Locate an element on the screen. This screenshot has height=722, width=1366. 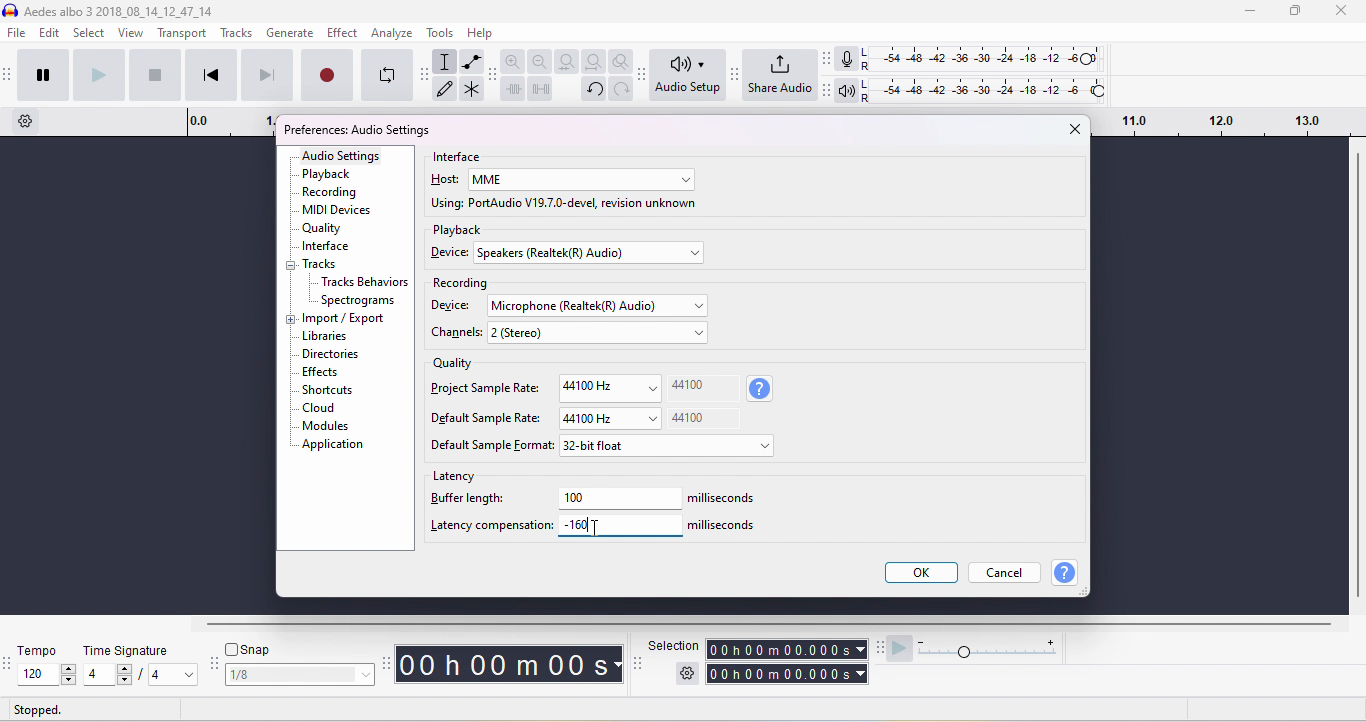
selection time is located at coordinates (778, 650).